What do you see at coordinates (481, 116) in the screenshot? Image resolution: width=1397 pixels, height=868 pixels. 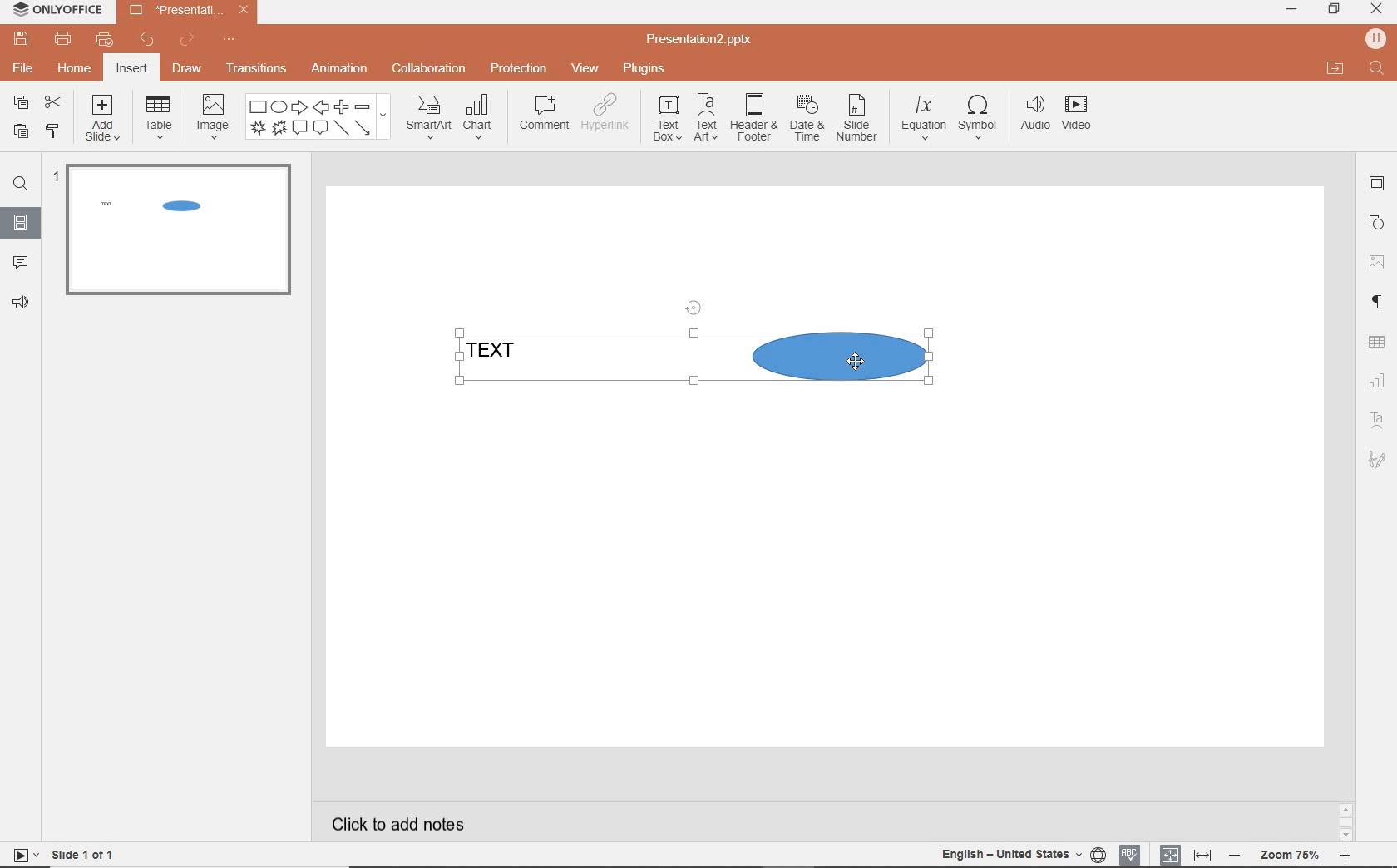 I see `chart` at bounding box center [481, 116].